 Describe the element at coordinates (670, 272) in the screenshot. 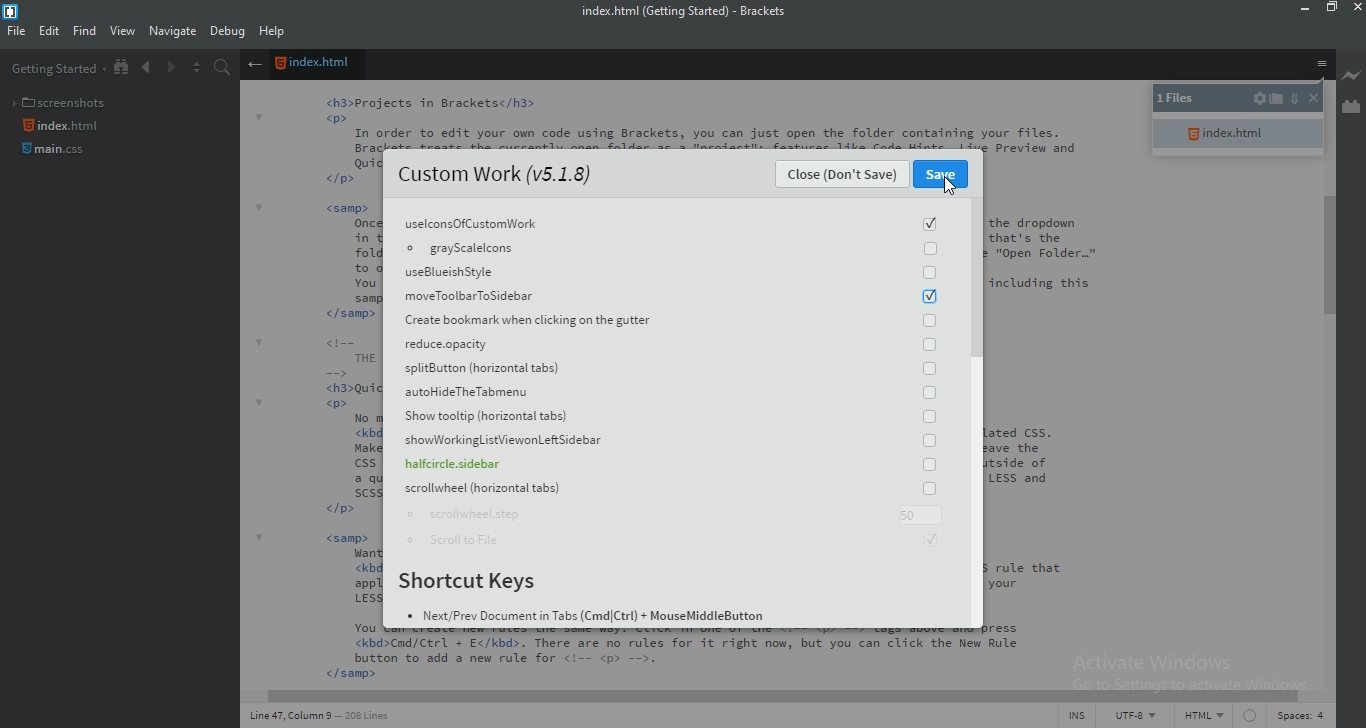

I see `useBlueish Style` at that location.